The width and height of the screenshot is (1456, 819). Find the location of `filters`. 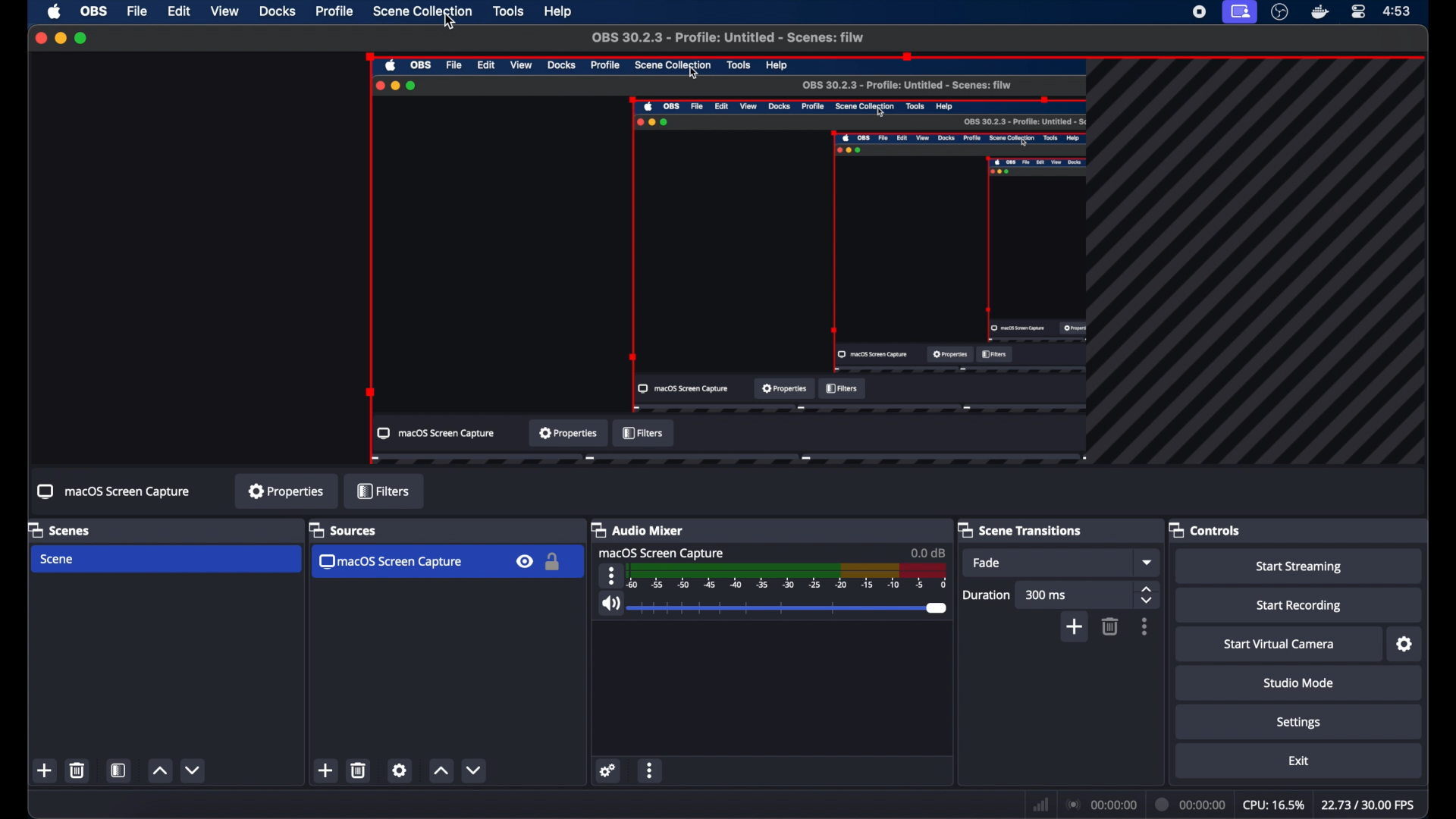

filters is located at coordinates (385, 491).